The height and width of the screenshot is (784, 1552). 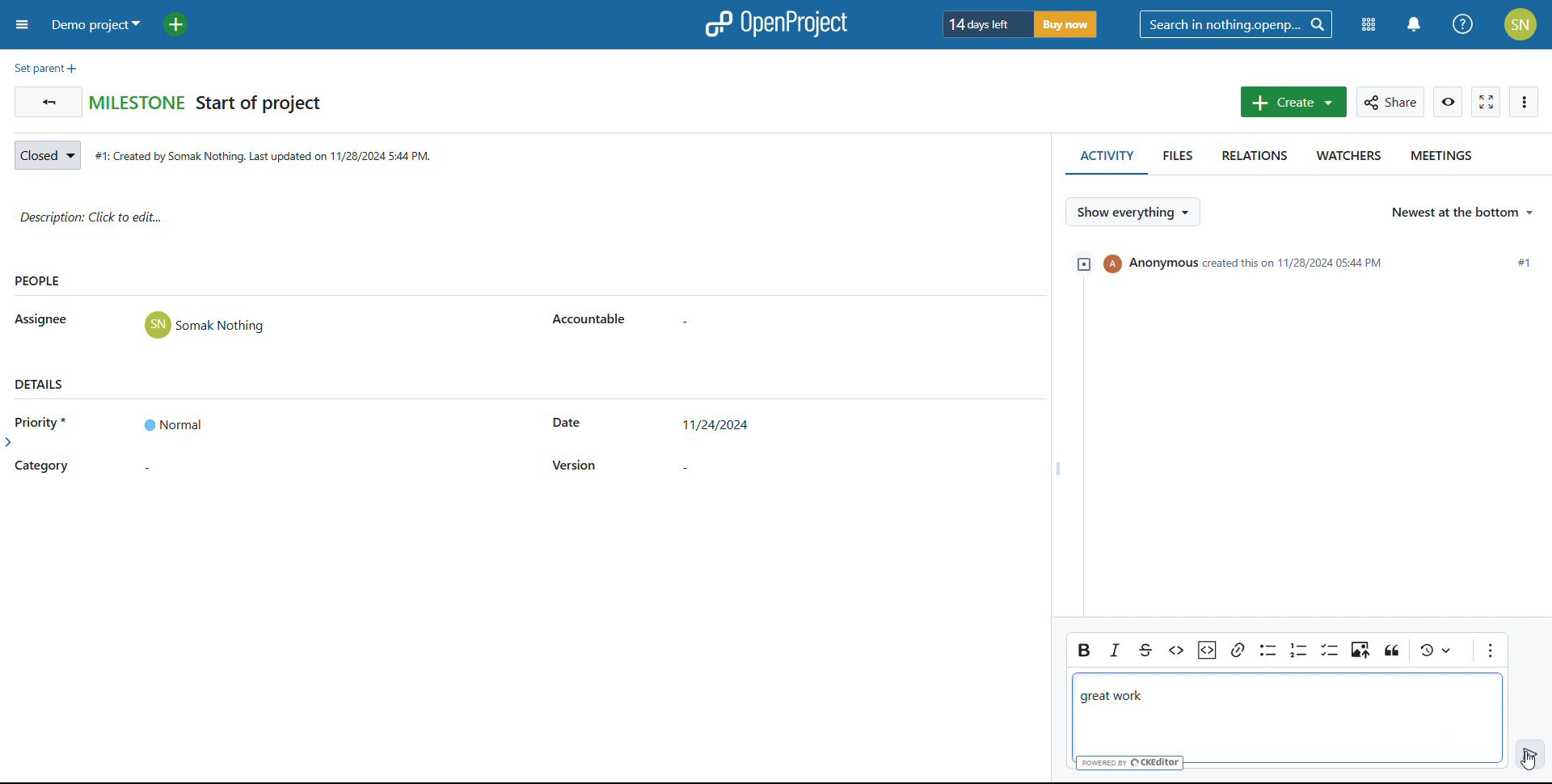 I want to click on modules, so click(x=1366, y=26).